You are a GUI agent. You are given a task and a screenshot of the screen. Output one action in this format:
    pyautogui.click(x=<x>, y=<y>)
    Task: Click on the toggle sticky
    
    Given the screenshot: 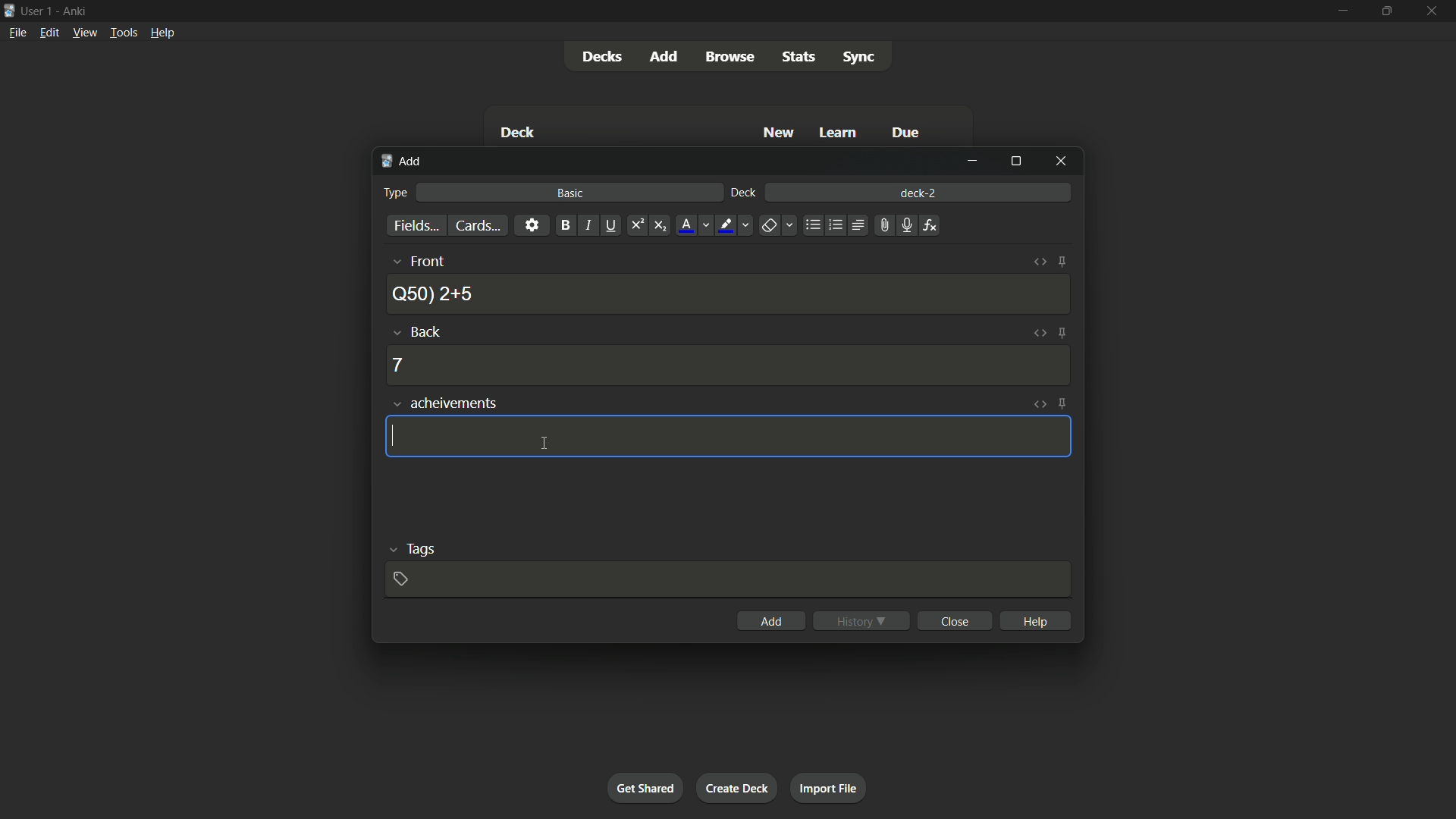 What is the action you would take?
    pyautogui.click(x=1062, y=404)
    